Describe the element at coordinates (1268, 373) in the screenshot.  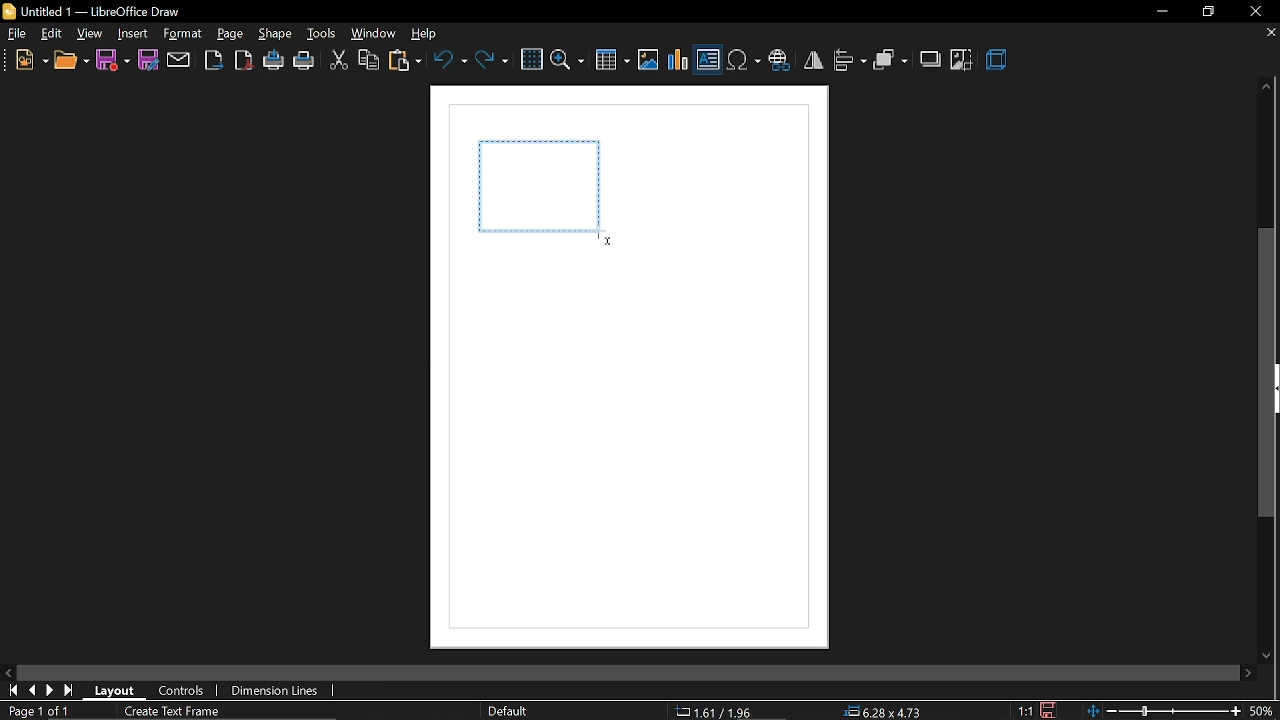
I see `vertical scrollbar` at that location.